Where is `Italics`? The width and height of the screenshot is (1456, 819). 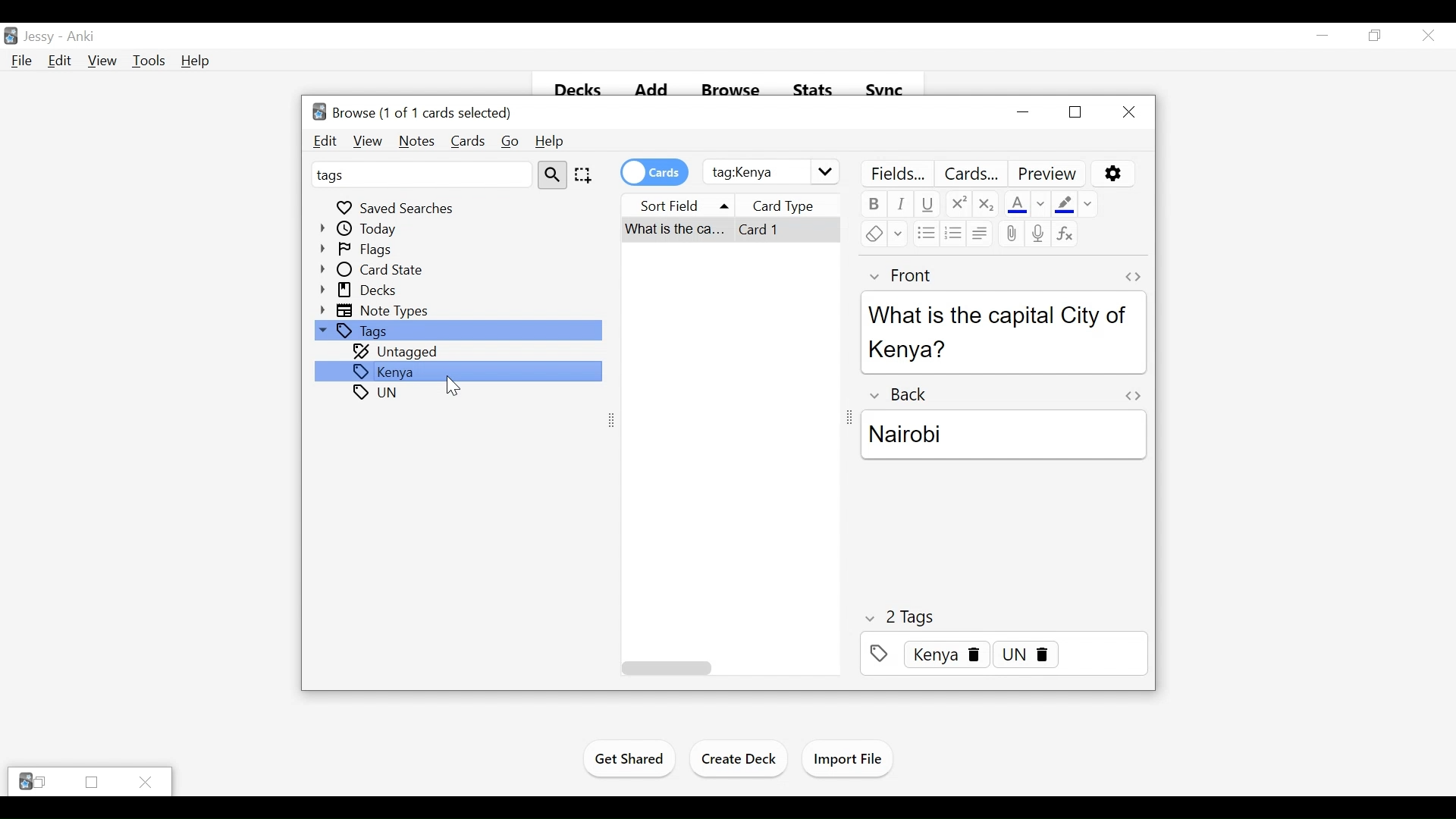
Italics is located at coordinates (902, 205).